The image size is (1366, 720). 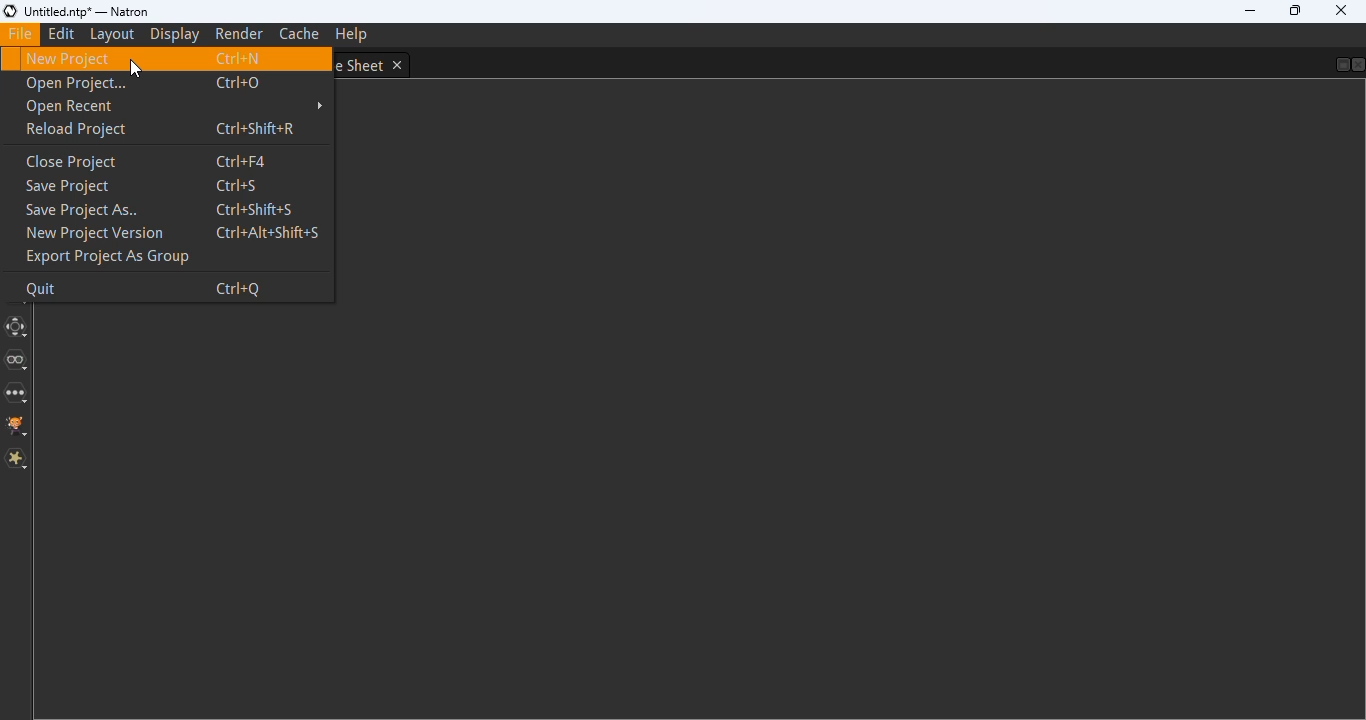 I want to click on minimize, so click(x=1250, y=11).